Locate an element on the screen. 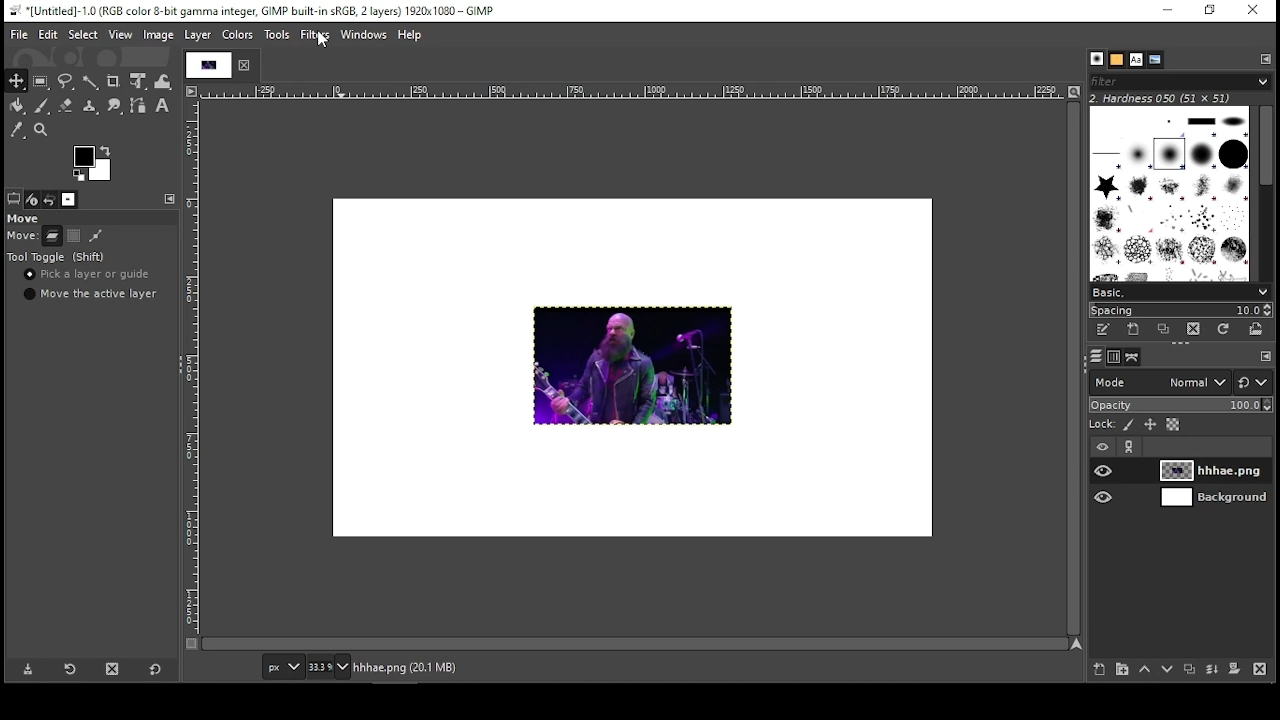  scroll bar is located at coordinates (1266, 192).